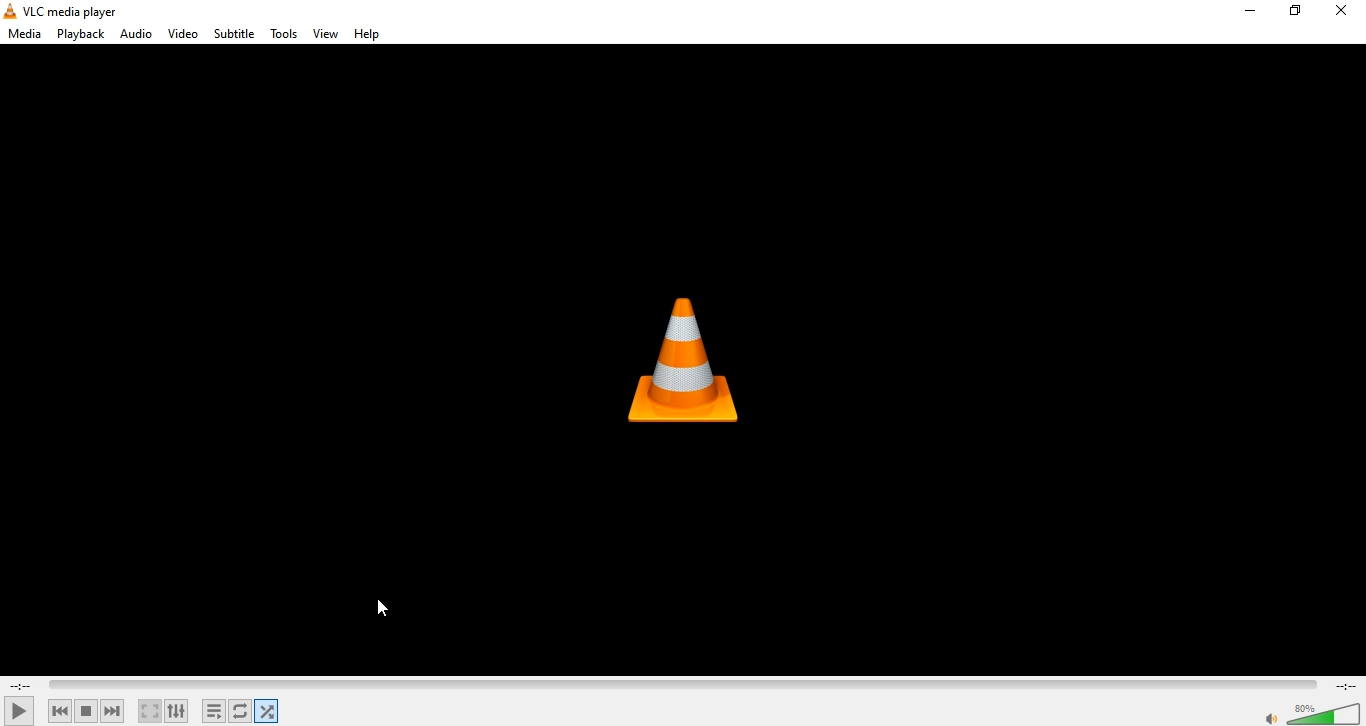  What do you see at coordinates (328, 34) in the screenshot?
I see `view` at bounding box center [328, 34].